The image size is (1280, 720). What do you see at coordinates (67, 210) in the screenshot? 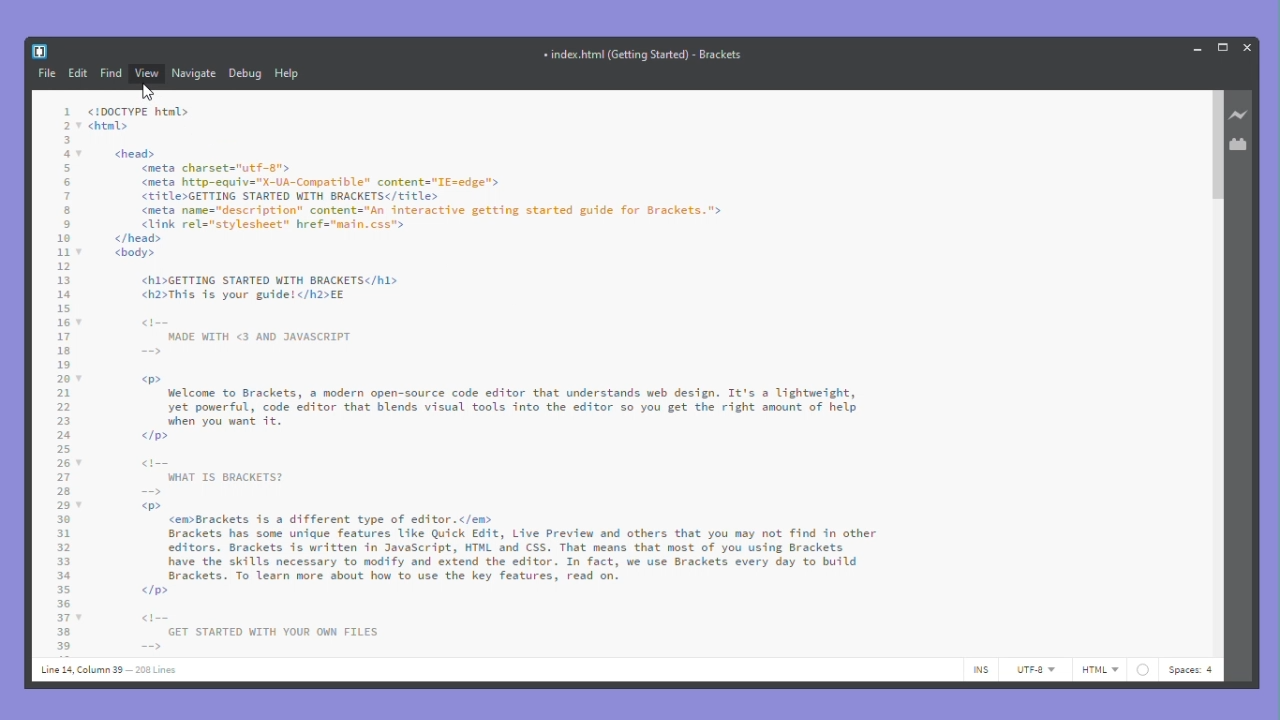
I see `8` at bounding box center [67, 210].